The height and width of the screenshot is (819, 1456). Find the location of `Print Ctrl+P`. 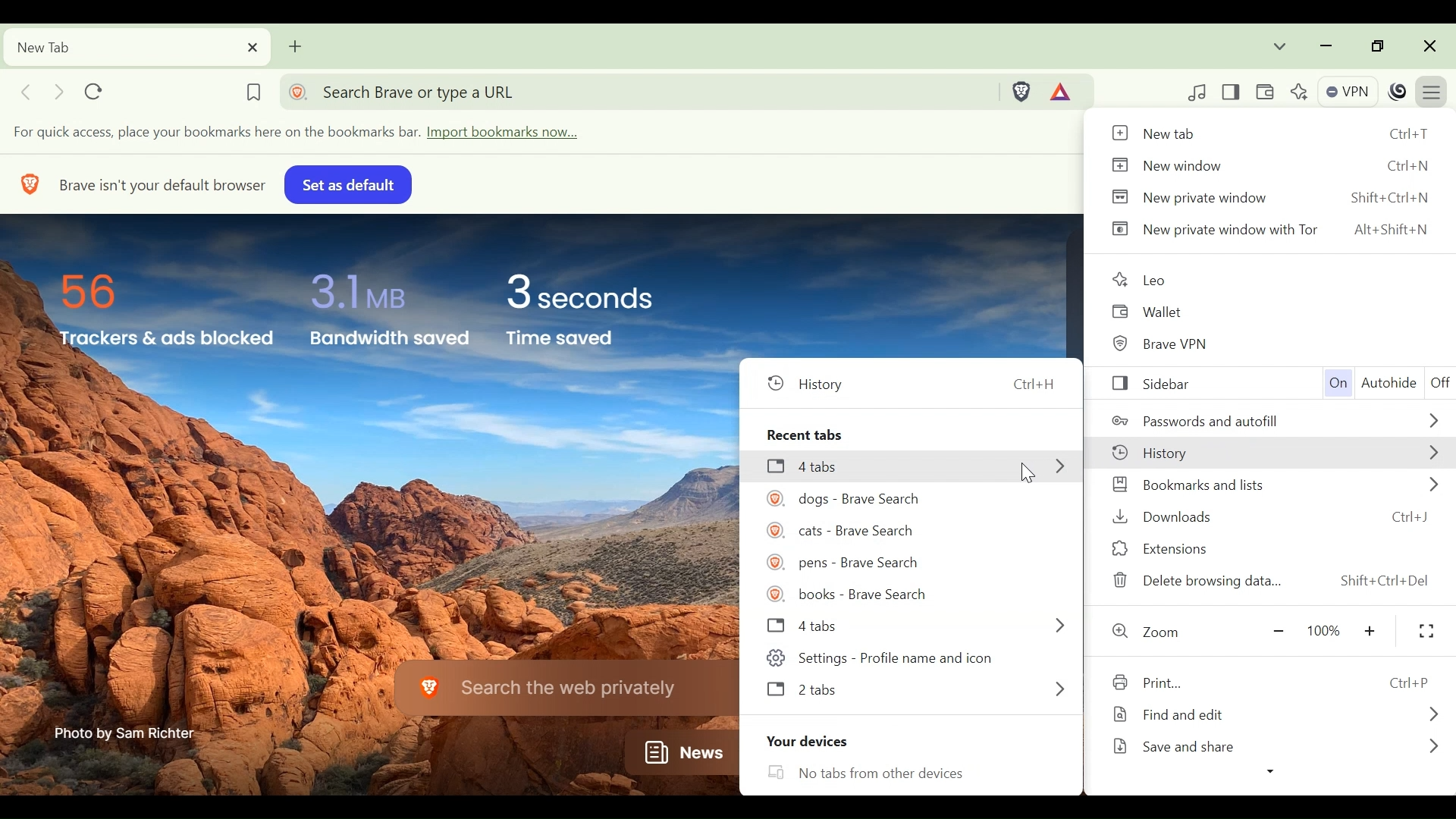

Print Ctrl+P is located at coordinates (1278, 685).